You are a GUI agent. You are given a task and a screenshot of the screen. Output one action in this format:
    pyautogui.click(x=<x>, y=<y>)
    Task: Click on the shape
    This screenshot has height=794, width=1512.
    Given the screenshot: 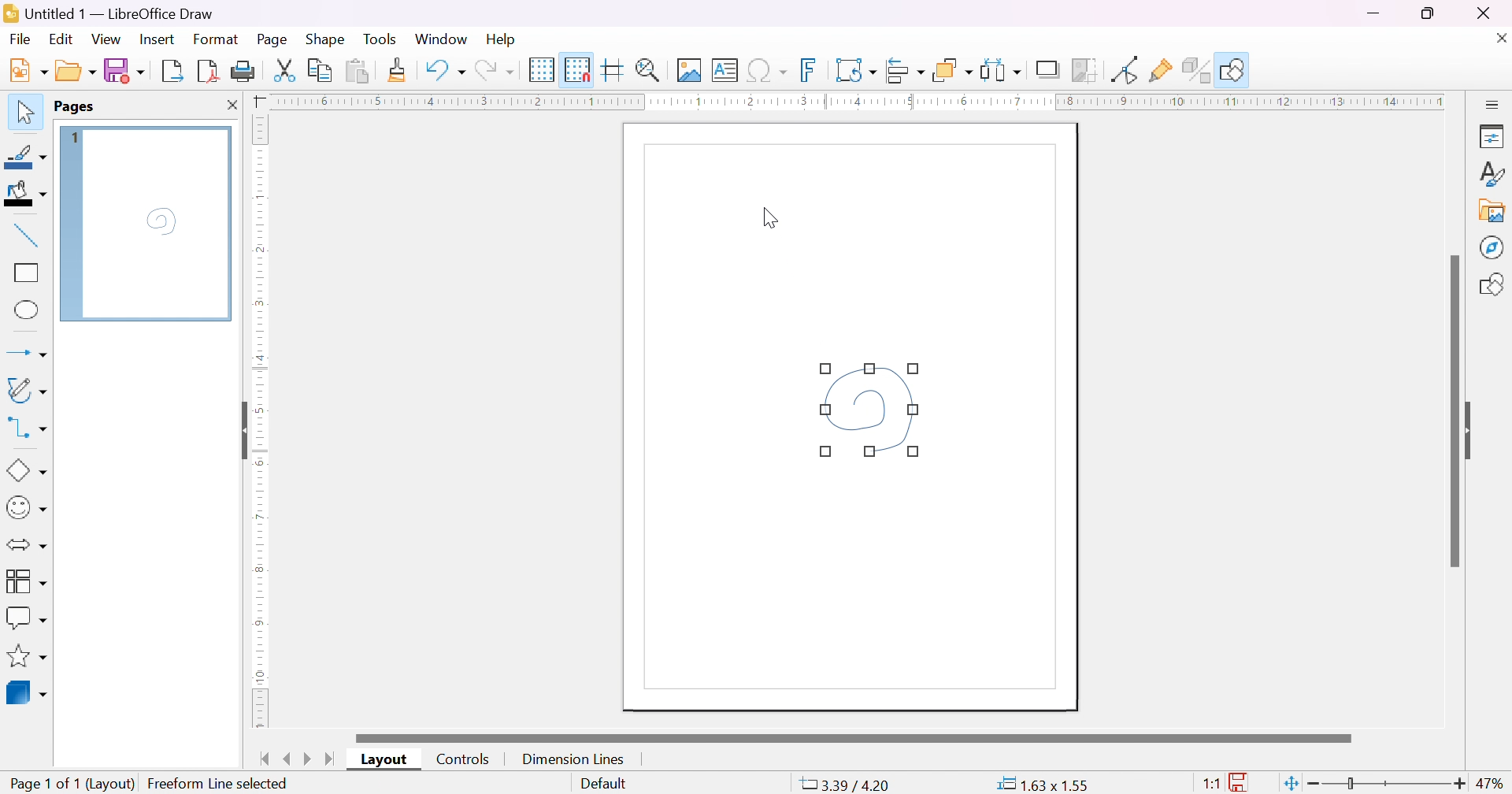 What is the action you would take?
    pyautogui.click(x=325, y=37)
    